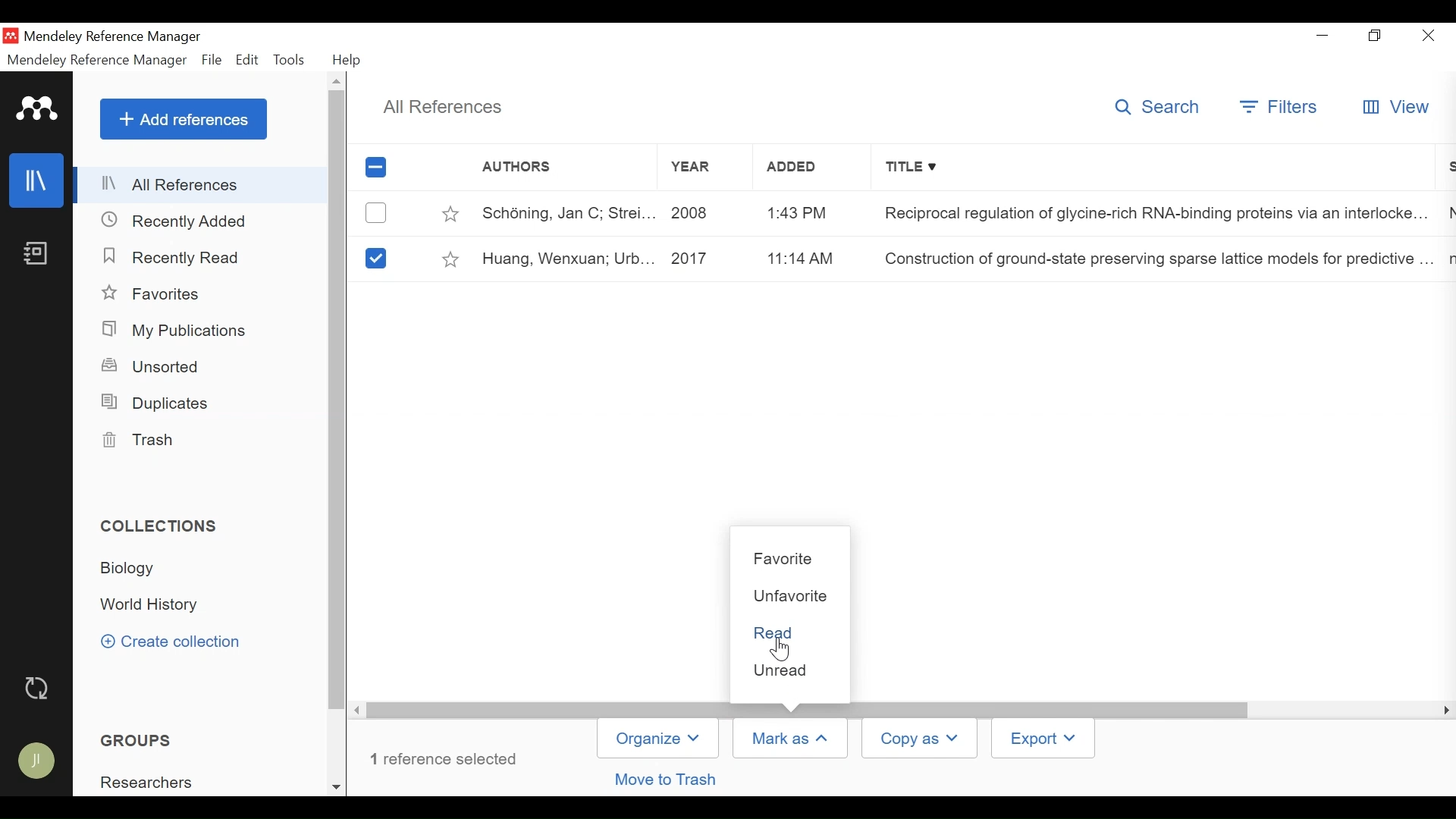 The width and height of the screenshot is (1456, 819). I want to click on Scroll Down, so click(338, 786).